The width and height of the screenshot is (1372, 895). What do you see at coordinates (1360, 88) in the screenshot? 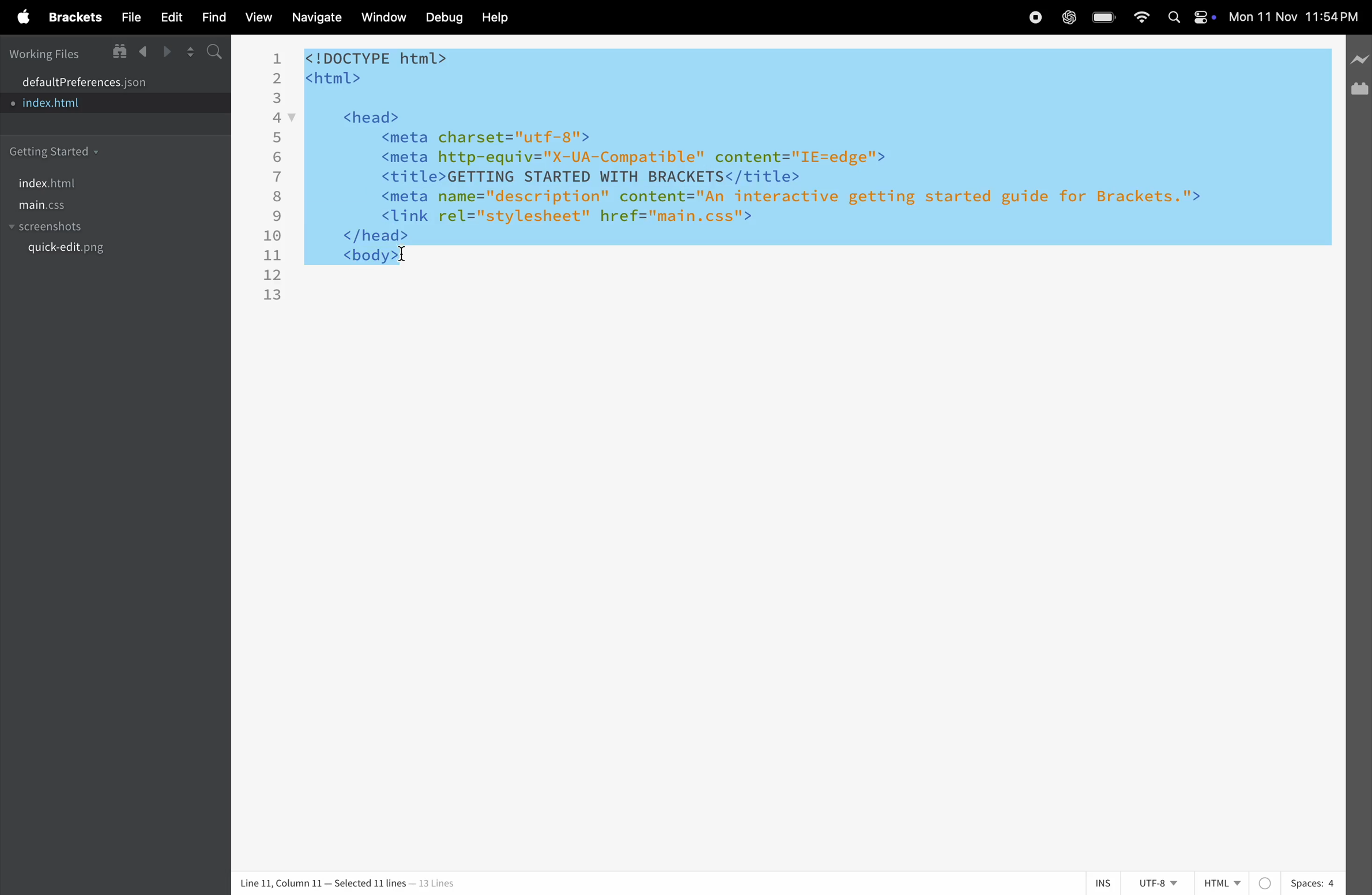
I see `extension manager` at bounding box center [1360, 88].